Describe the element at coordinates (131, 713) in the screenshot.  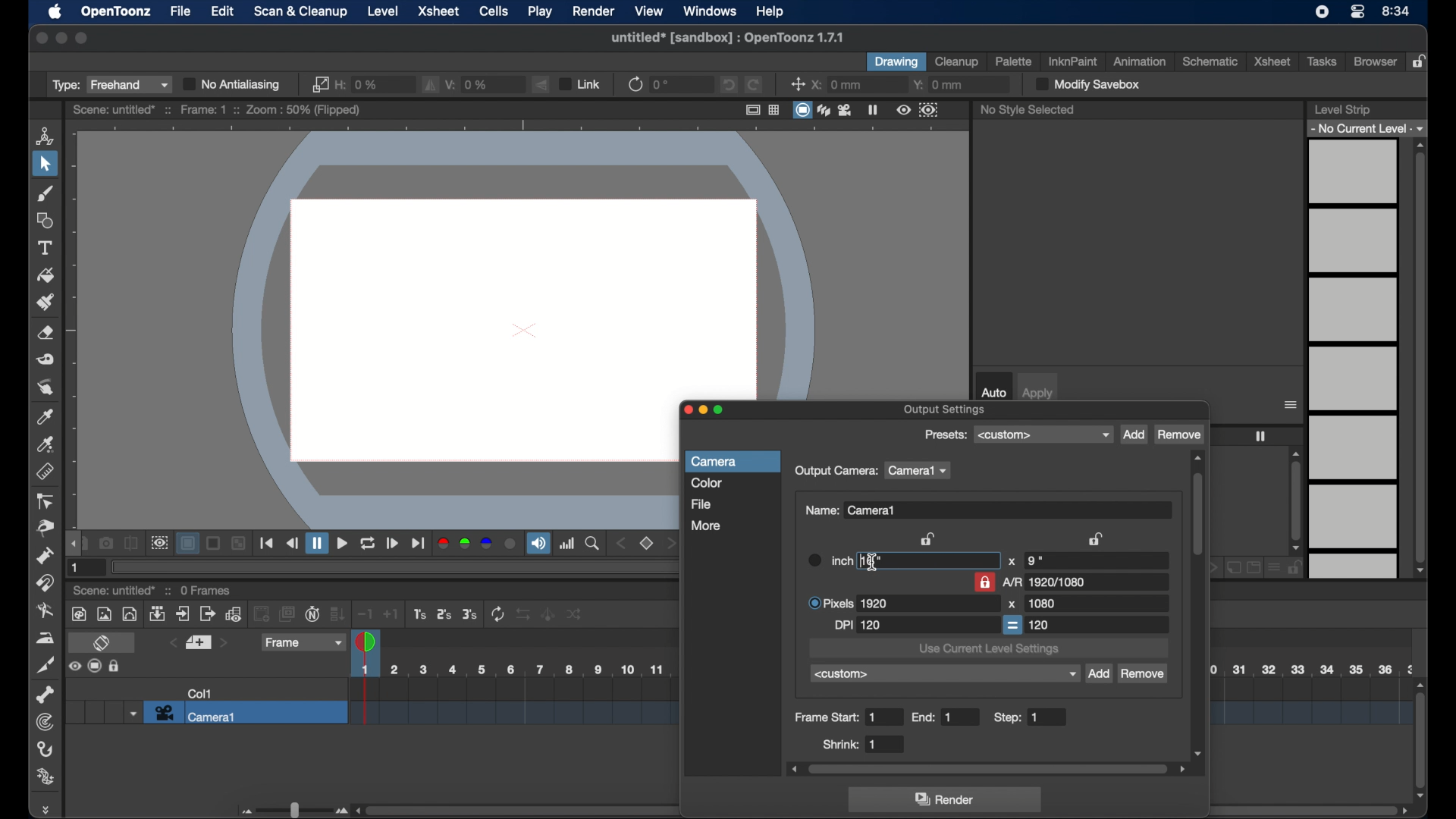
I see `dropdown` at that location.